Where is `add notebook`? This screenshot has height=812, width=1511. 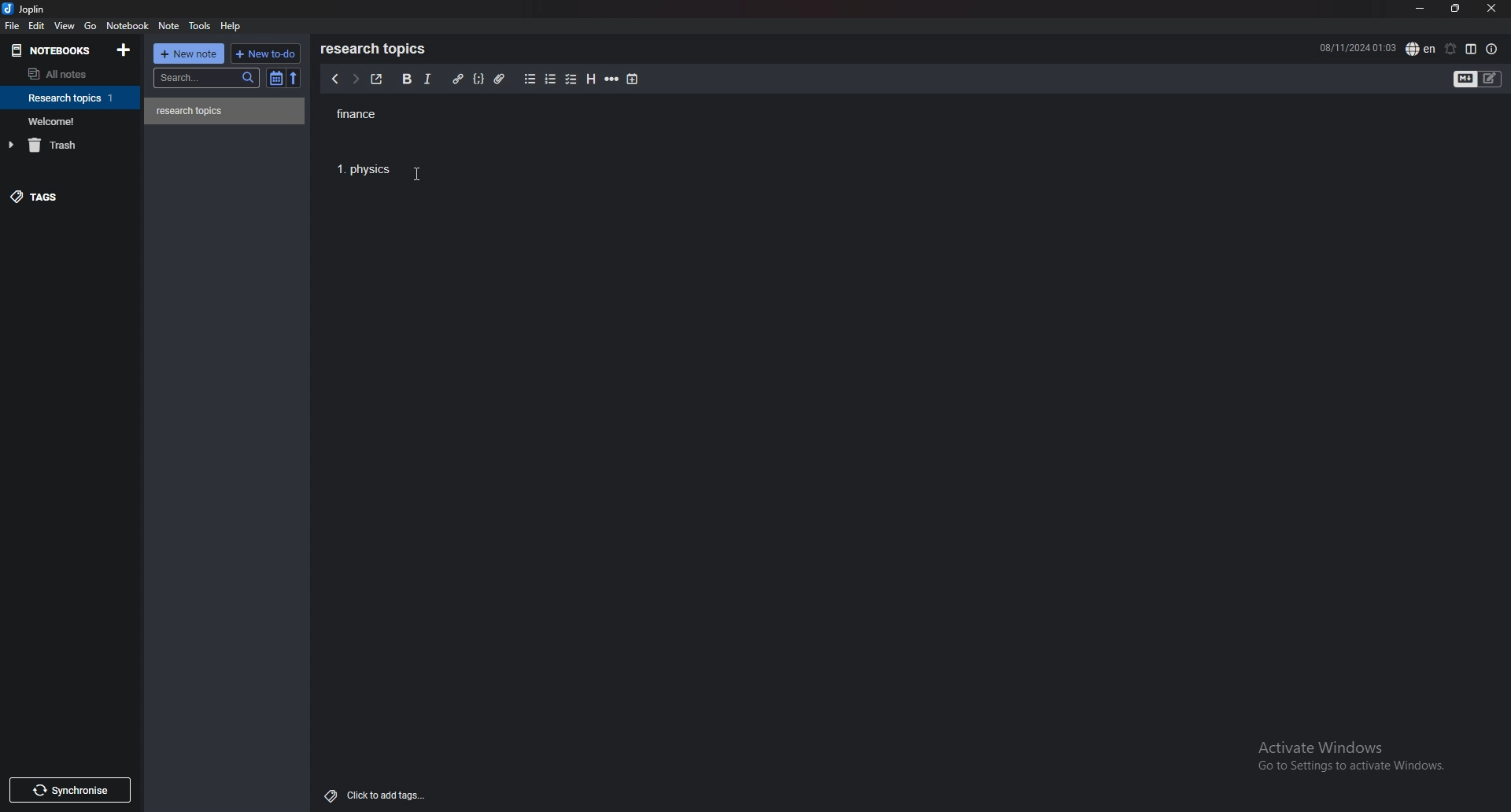 add notebook is located at coordinates (123, 50).